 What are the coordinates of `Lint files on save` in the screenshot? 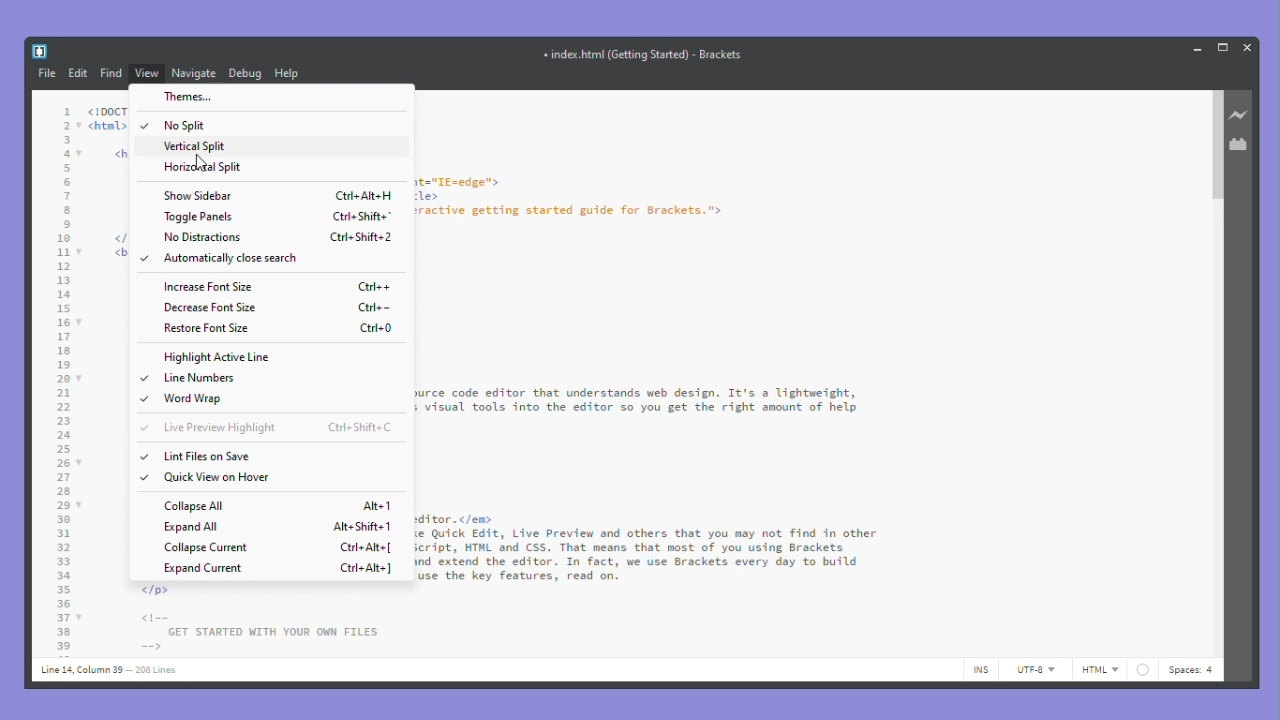 It's located at (197, 456).